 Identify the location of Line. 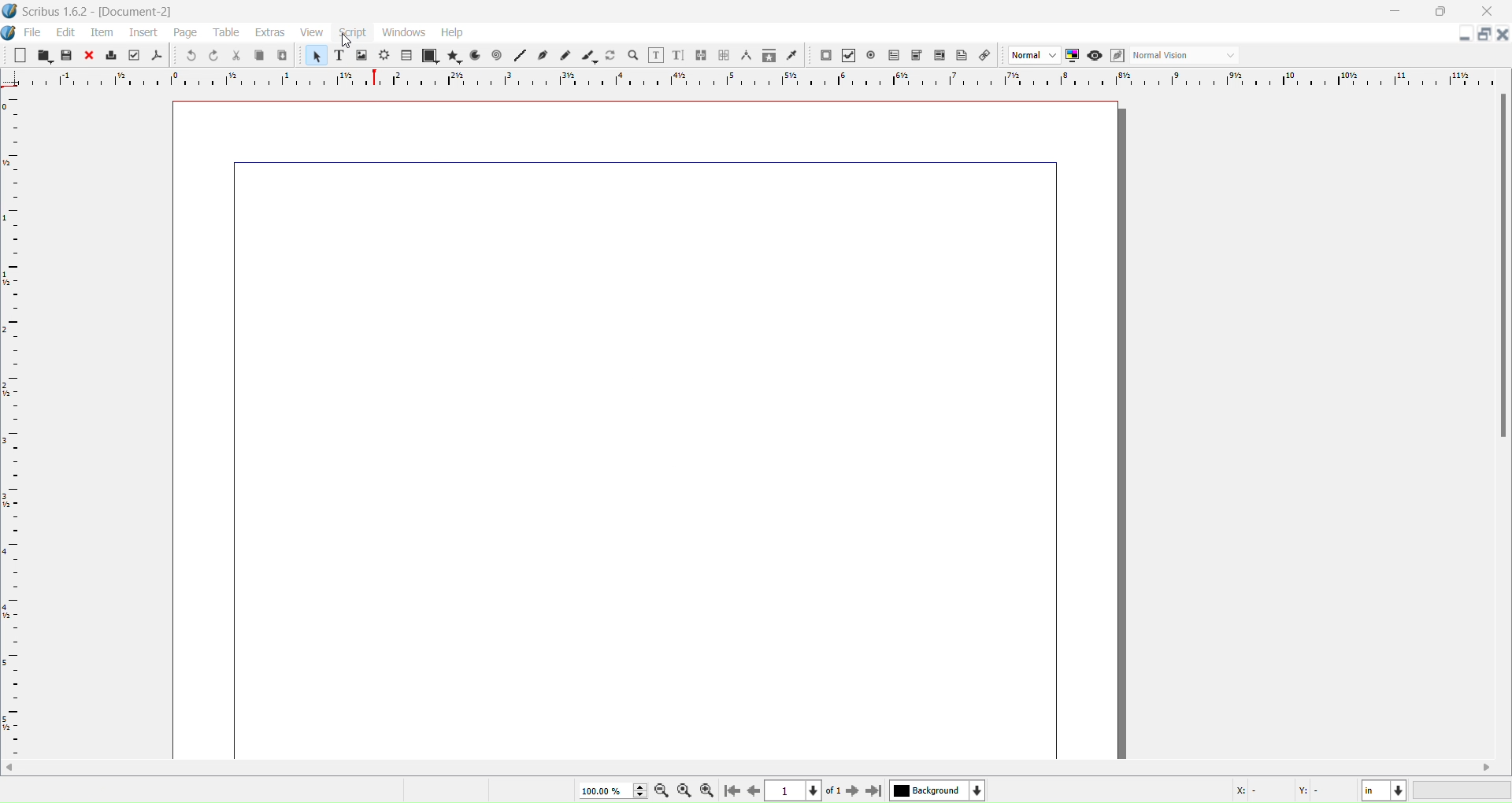
(521, 57).